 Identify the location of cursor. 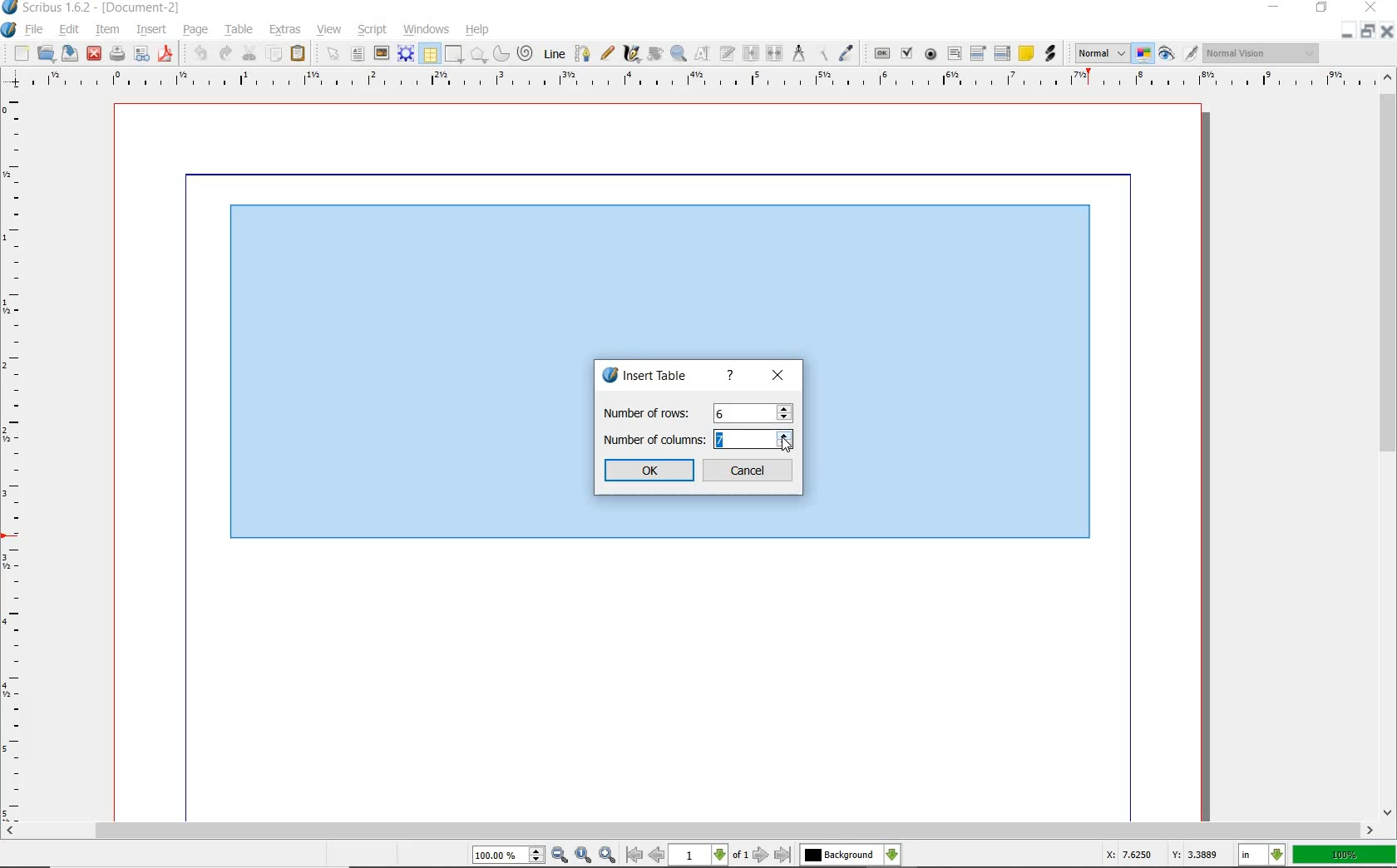
(787, 446).